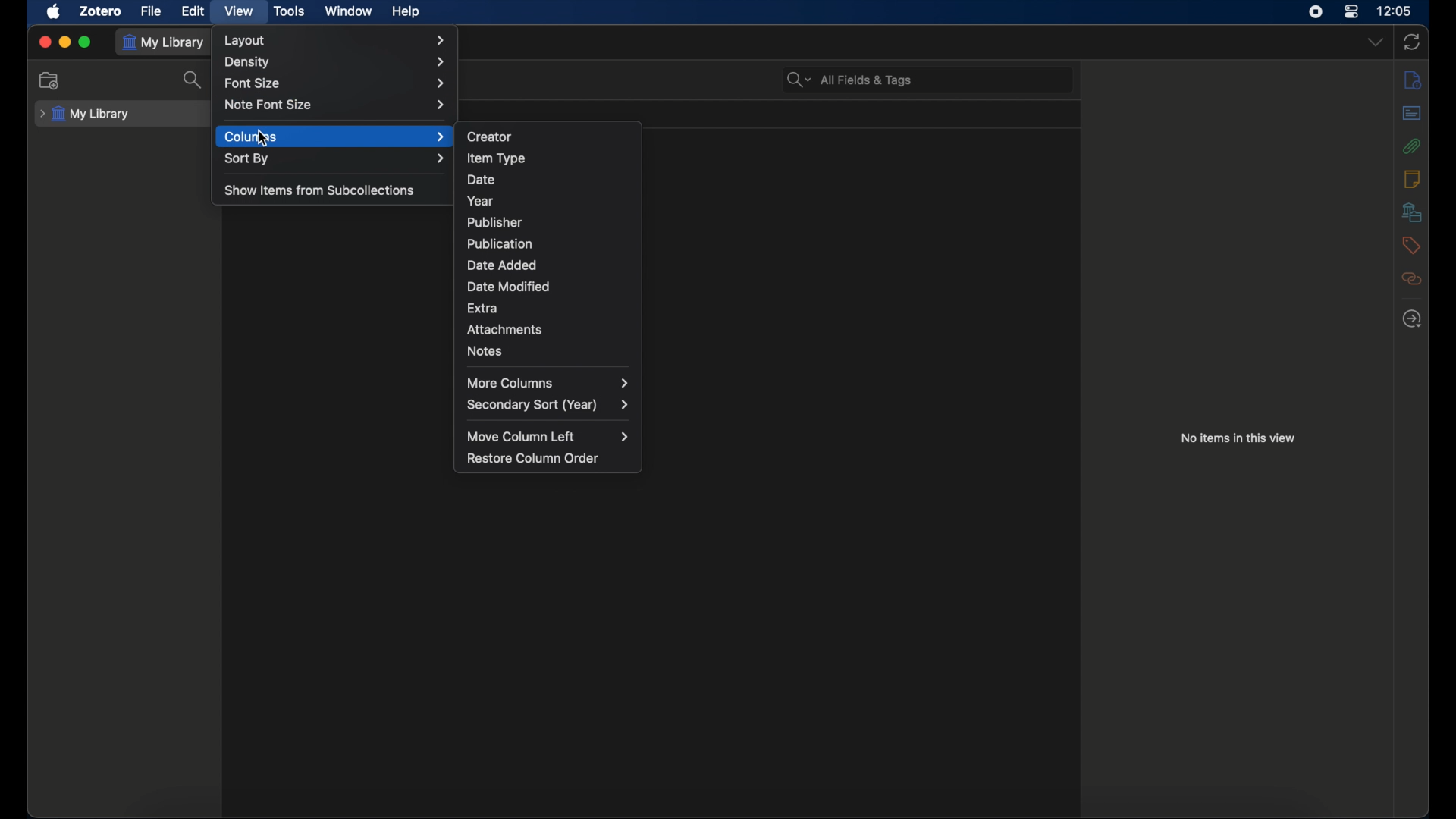 The image size is (1456, 819). What do you see at coordinates (195, 12) in the screenshot?
I see `edit` at bounding box center [195, 12].